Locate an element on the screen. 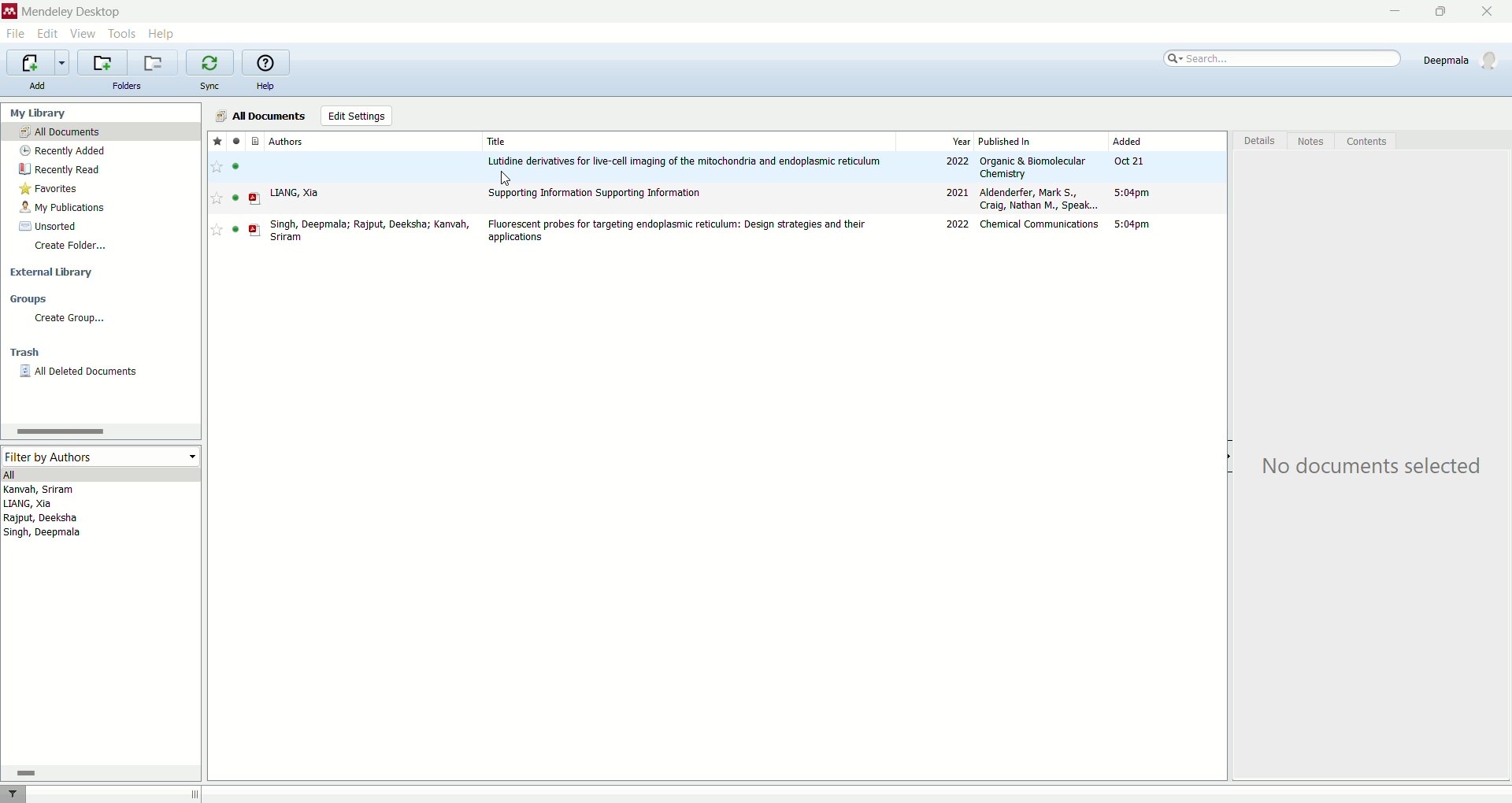  5:04pm is located at coordinates (1135, 194).